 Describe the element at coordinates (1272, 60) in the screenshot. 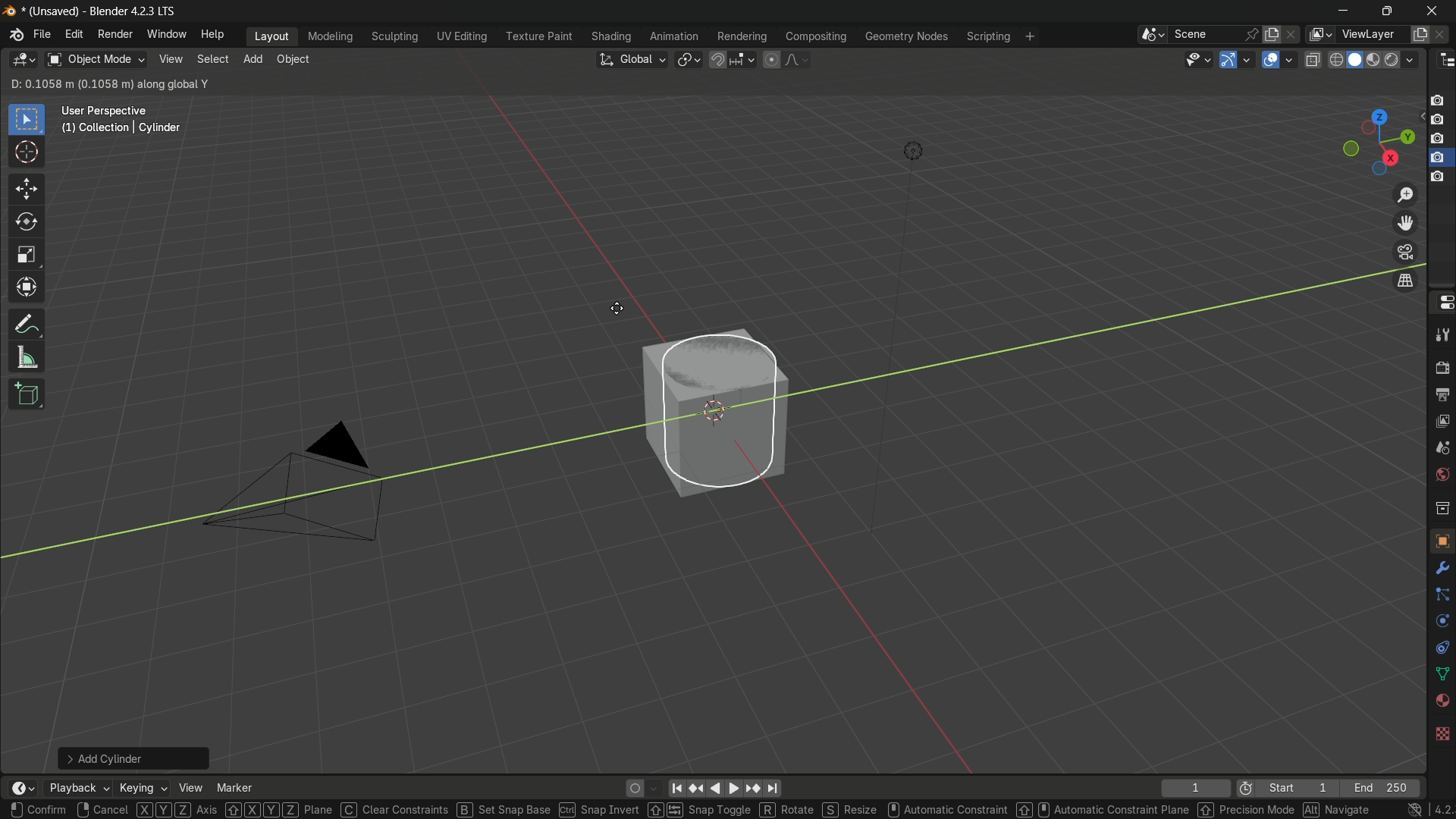

I see `show overlay` at that location.